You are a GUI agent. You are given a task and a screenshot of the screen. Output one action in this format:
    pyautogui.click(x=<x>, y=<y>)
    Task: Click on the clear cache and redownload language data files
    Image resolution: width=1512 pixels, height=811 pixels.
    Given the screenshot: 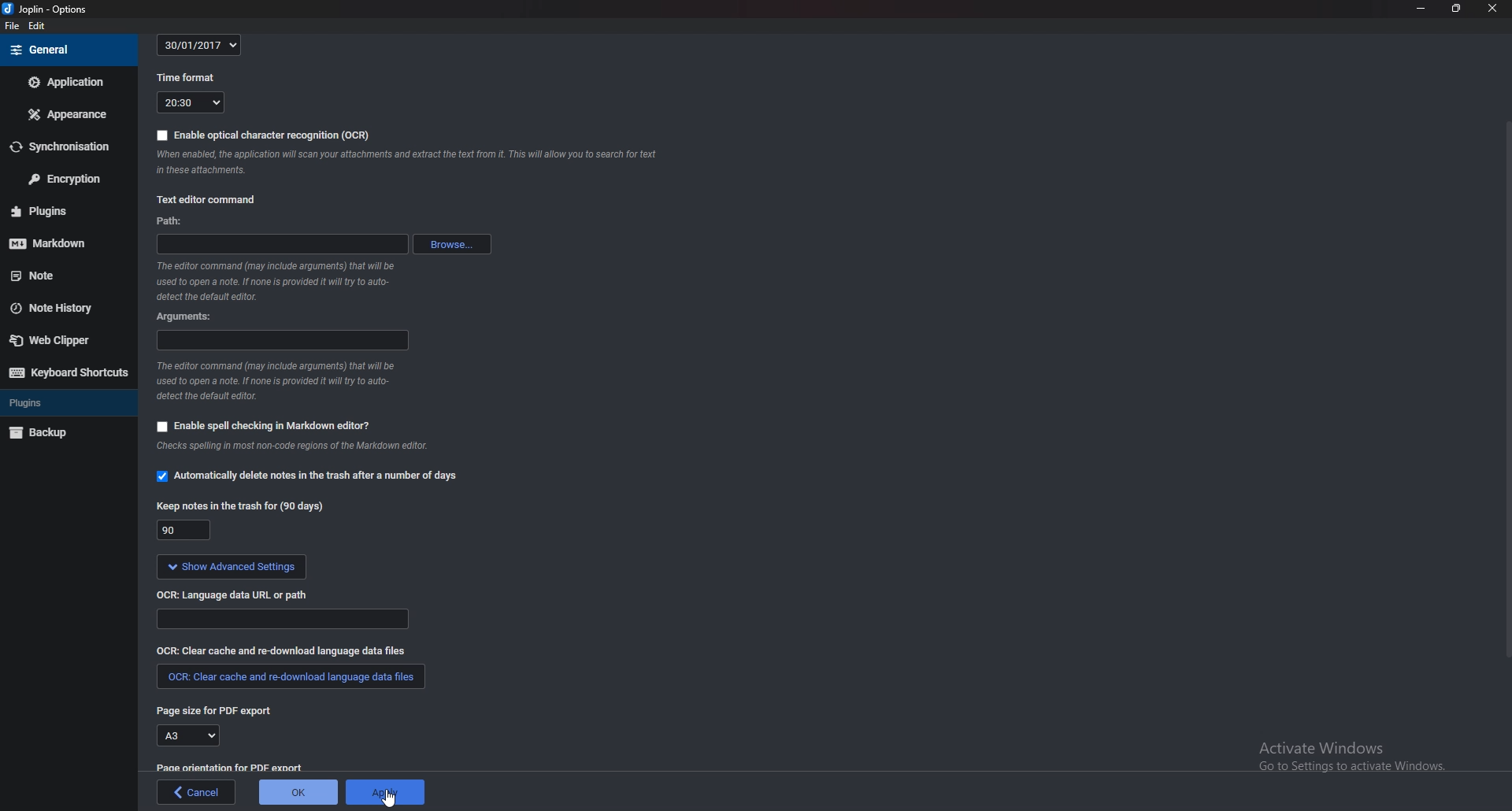 What is the action you would take?
    pyautogui.click(x=288, y=679)
    